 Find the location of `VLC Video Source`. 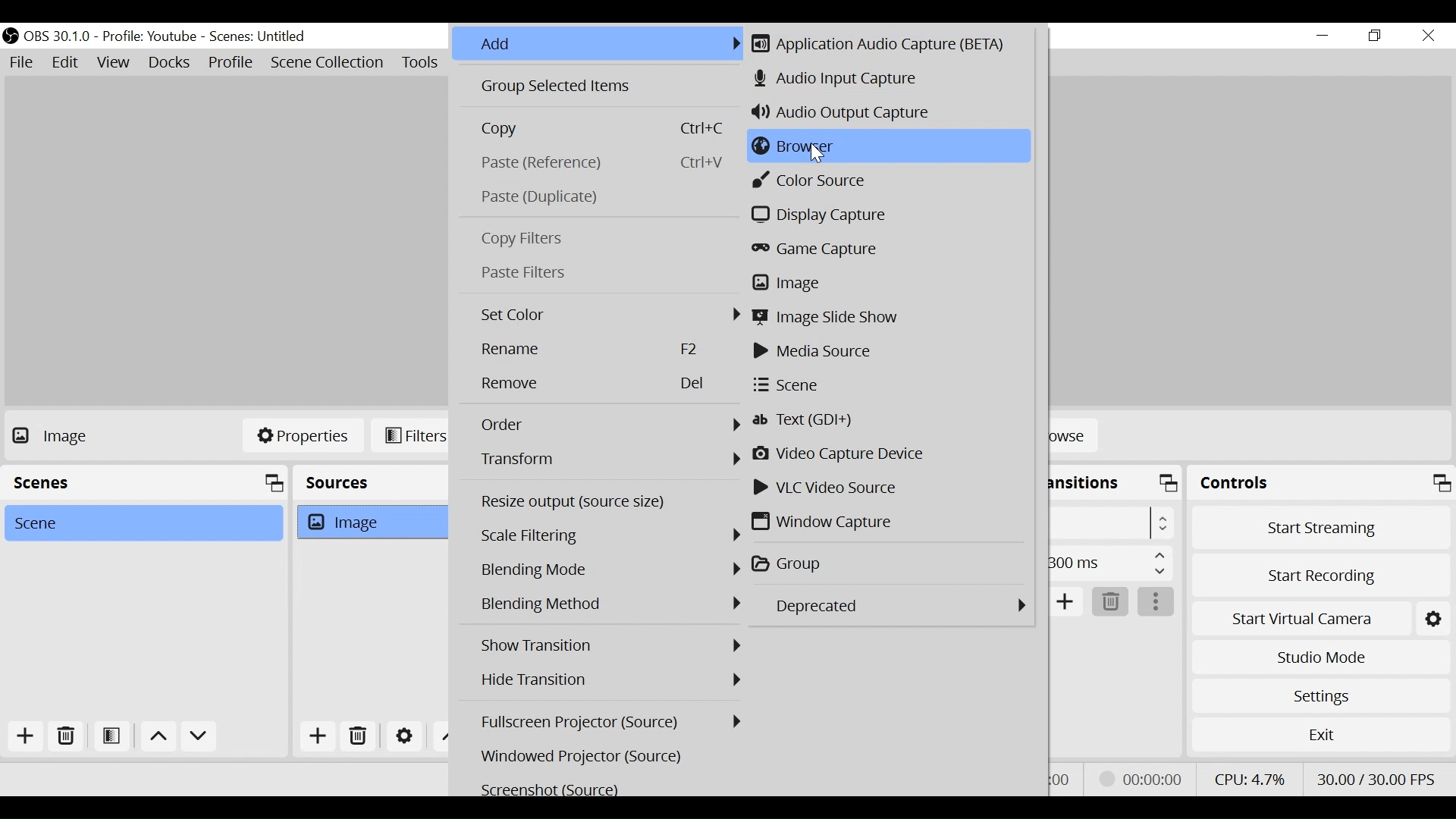

VLC Video Source is located at coordinates (893, 488).